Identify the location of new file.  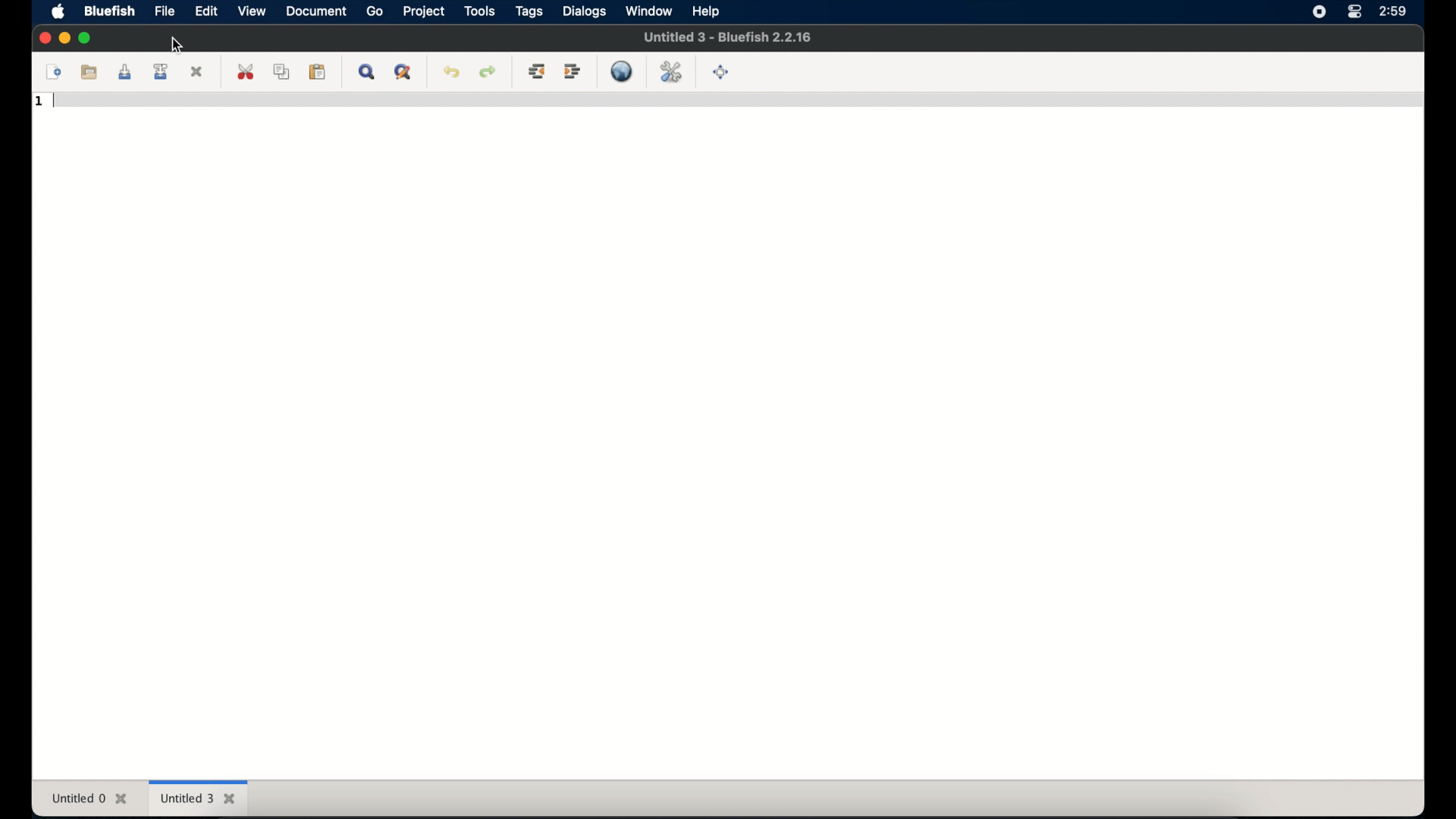
(54, 71).